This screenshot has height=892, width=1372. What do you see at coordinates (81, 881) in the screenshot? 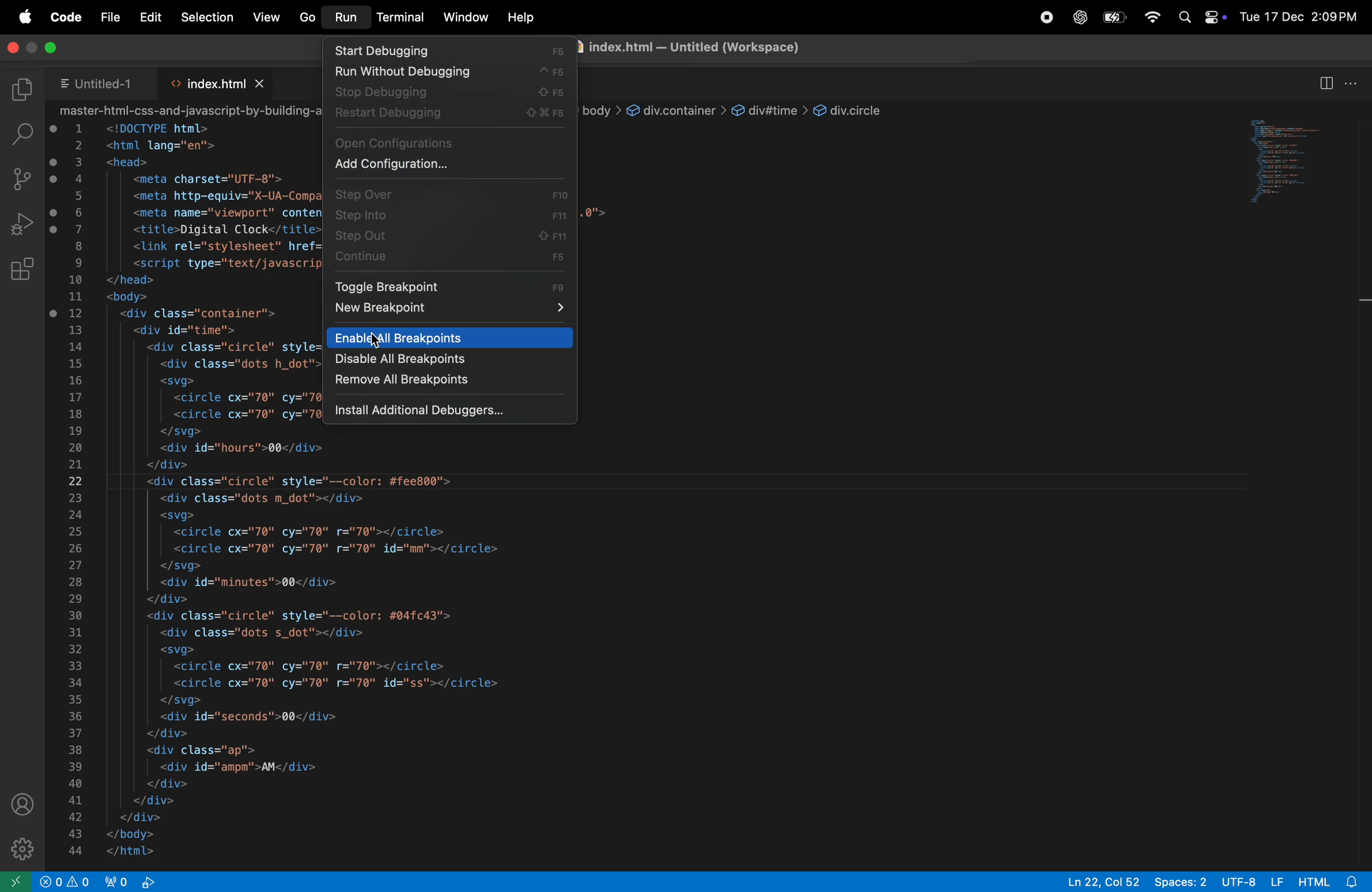
I see `alert` at bounding box center [81, 881].